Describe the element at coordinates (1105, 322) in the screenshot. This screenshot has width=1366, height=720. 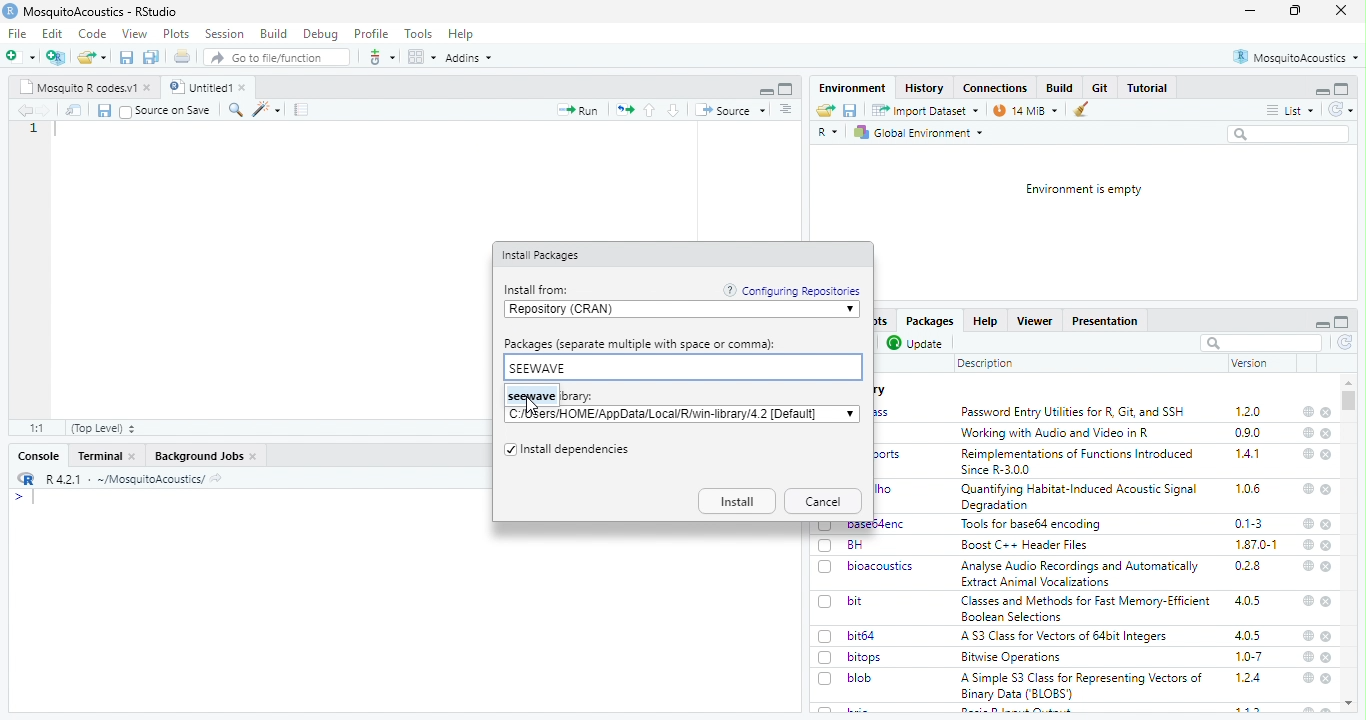
I see `Presentation` at that location.